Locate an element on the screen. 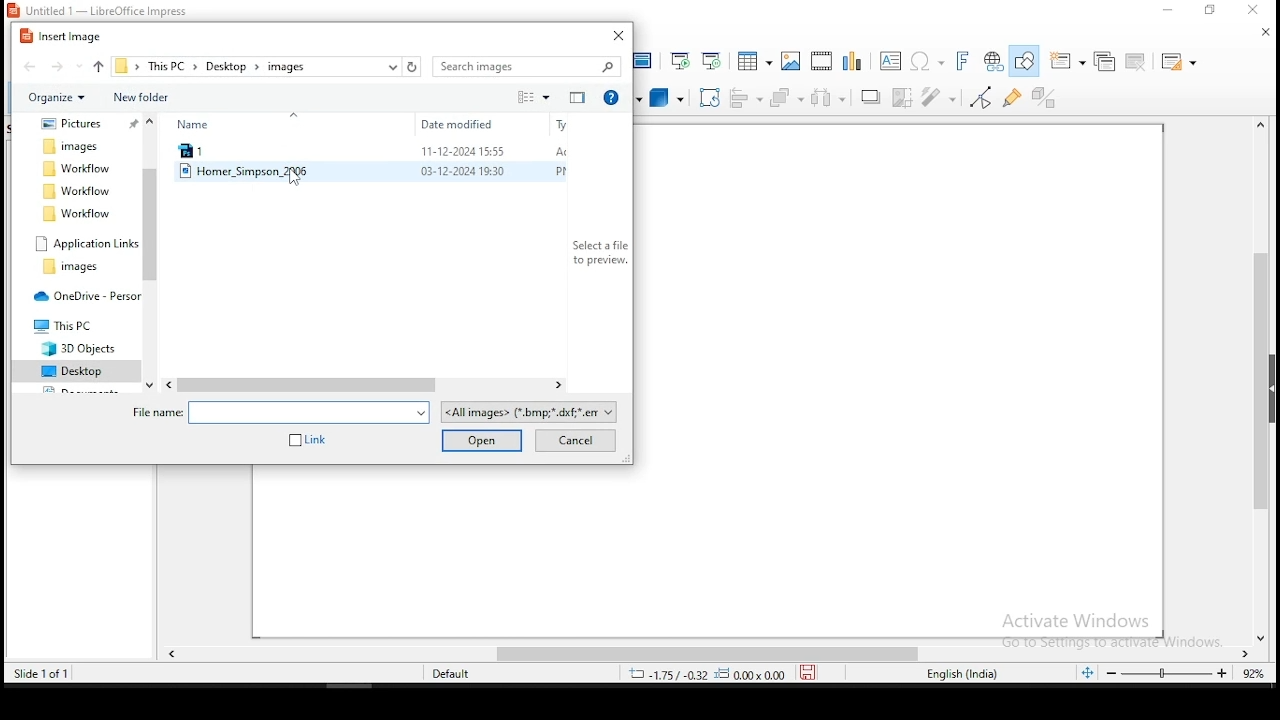 Image resolution: width=1280 pixels, height=720 pixels. close is located at coordinates (1251, 33).